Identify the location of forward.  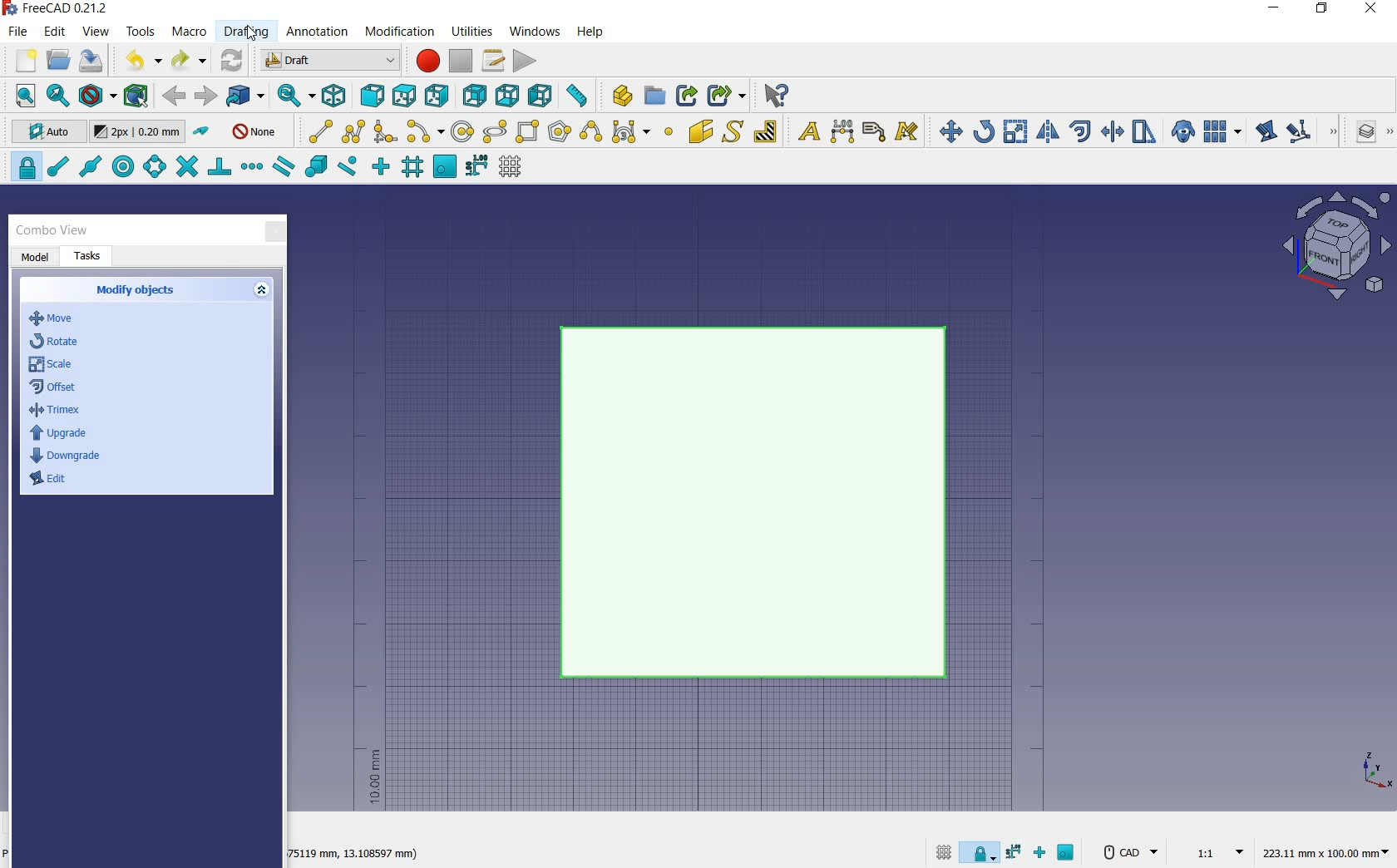
(205, 96).